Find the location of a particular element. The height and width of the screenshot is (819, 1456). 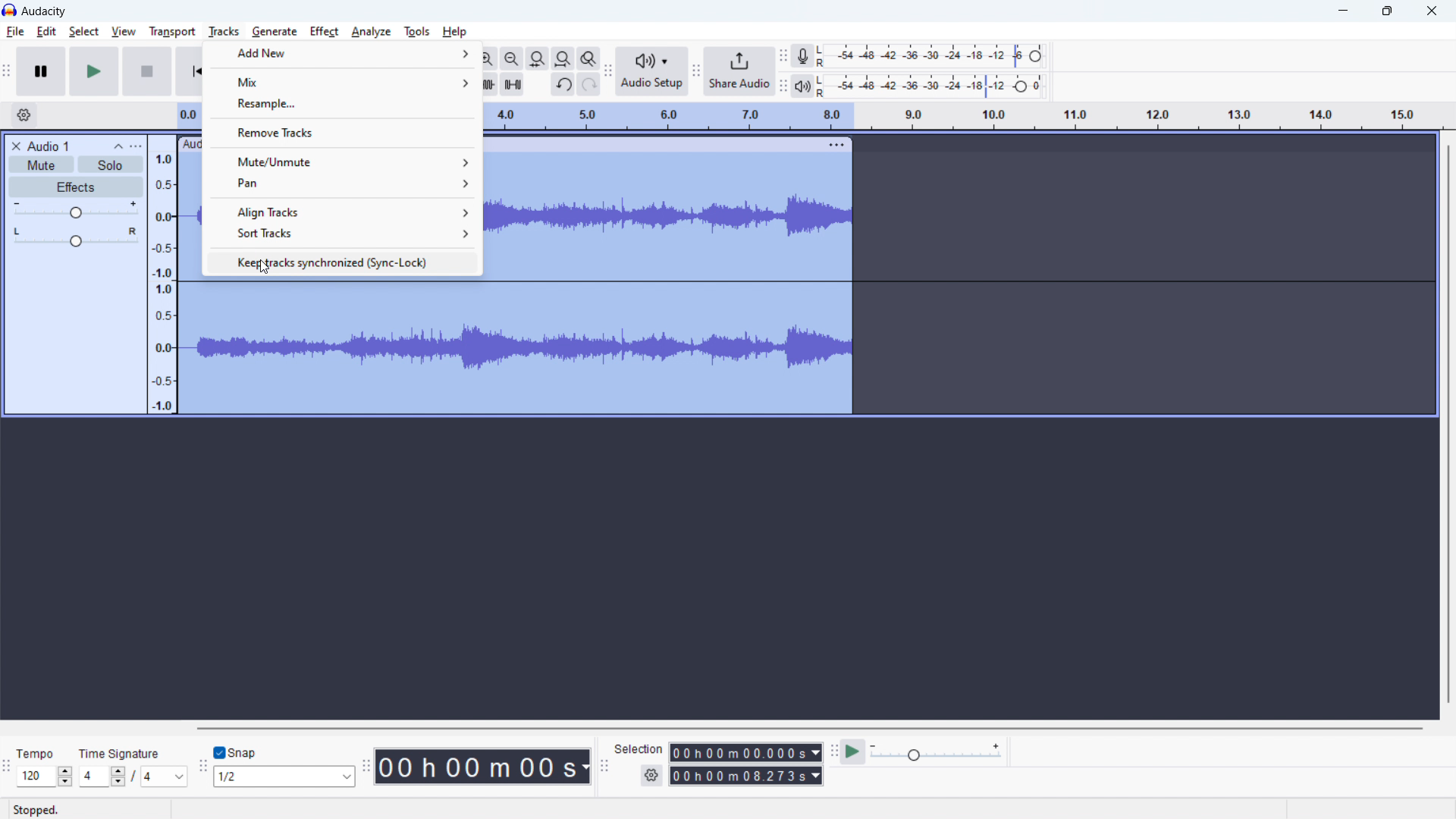

undo is located at coordinates (563, 84).